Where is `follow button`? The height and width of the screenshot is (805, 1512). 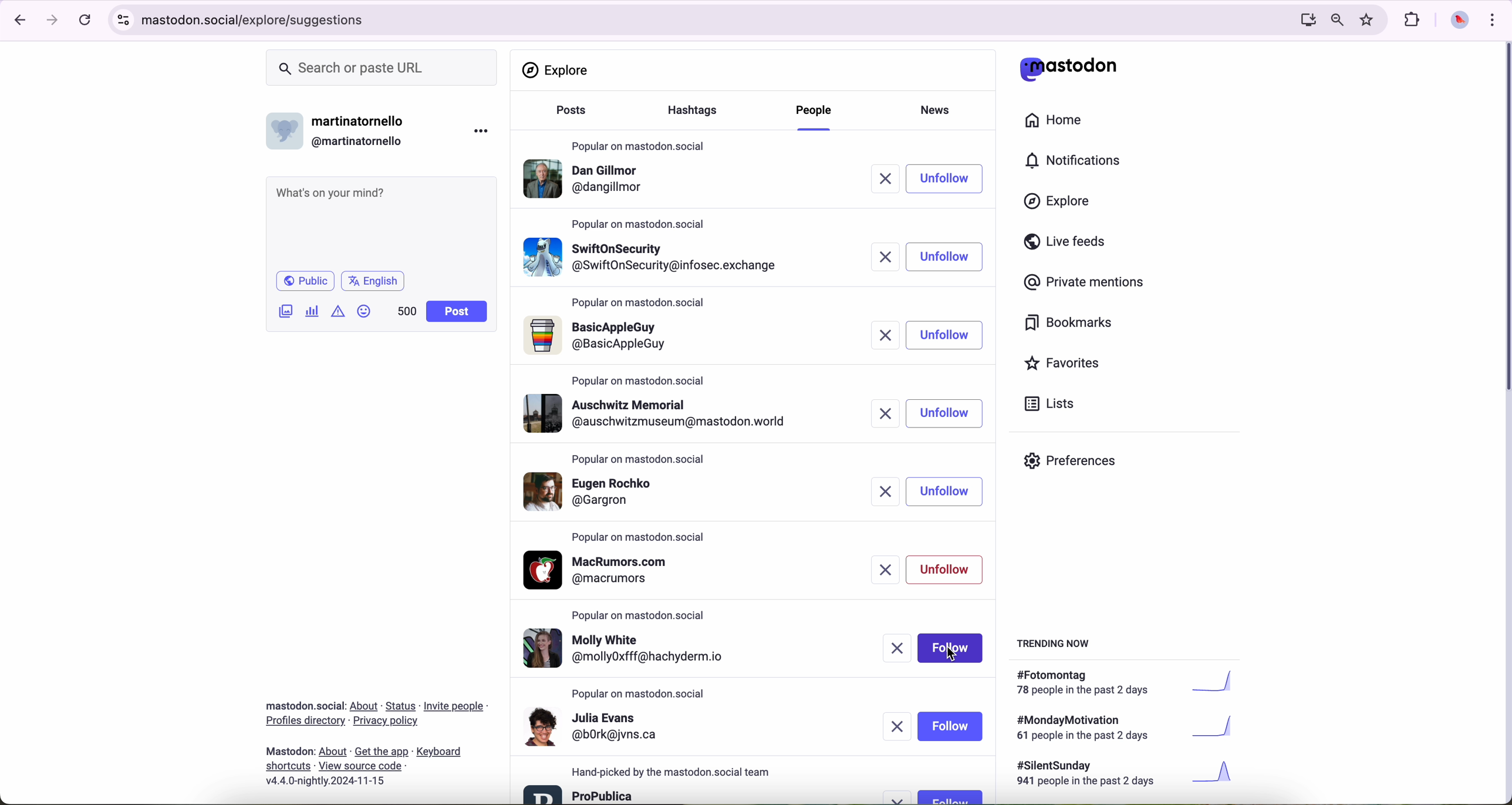
follow button is located at coordinates (950, 796).